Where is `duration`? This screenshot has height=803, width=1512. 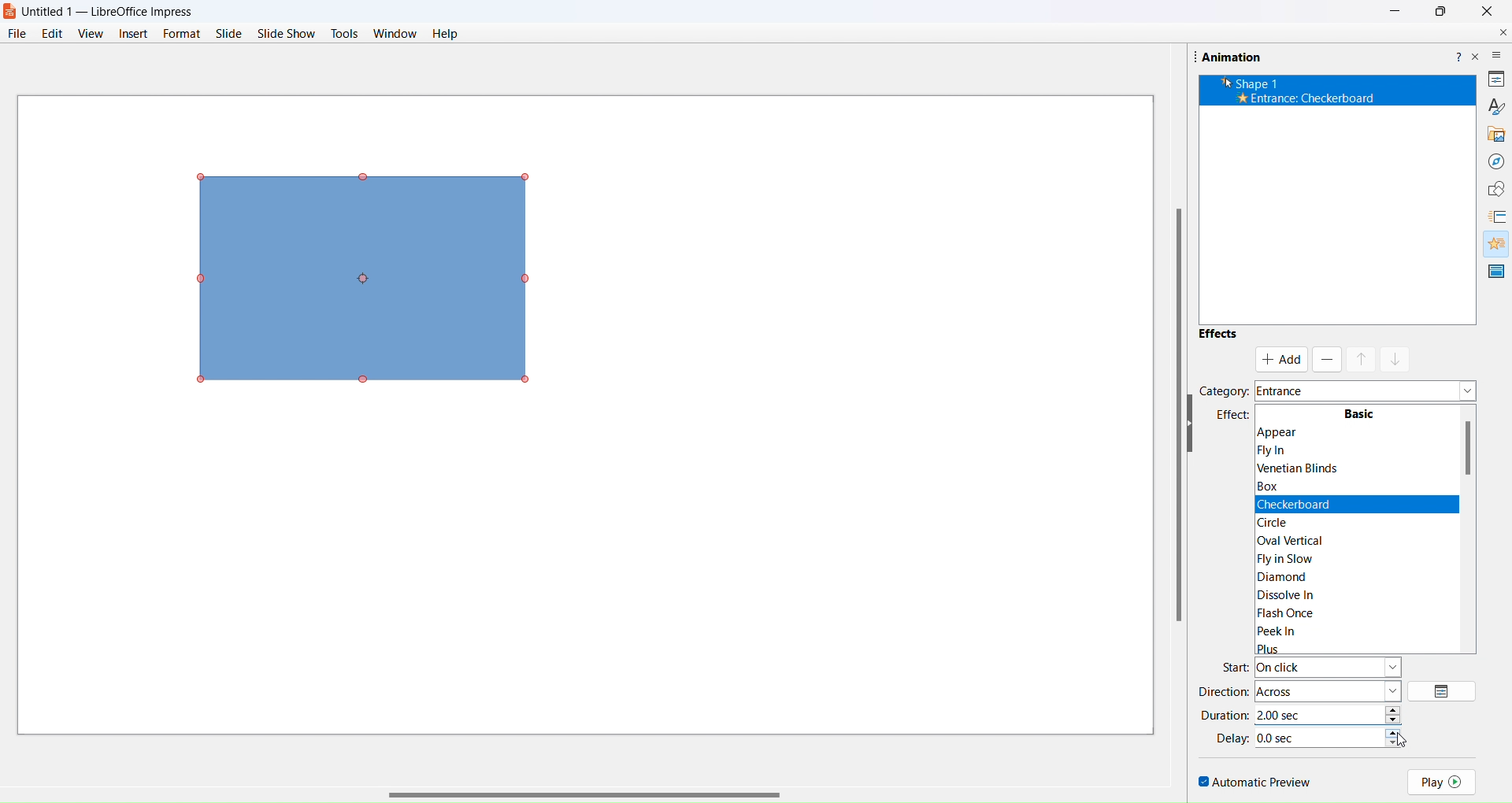 duration is located at coordinates (1228, 715).